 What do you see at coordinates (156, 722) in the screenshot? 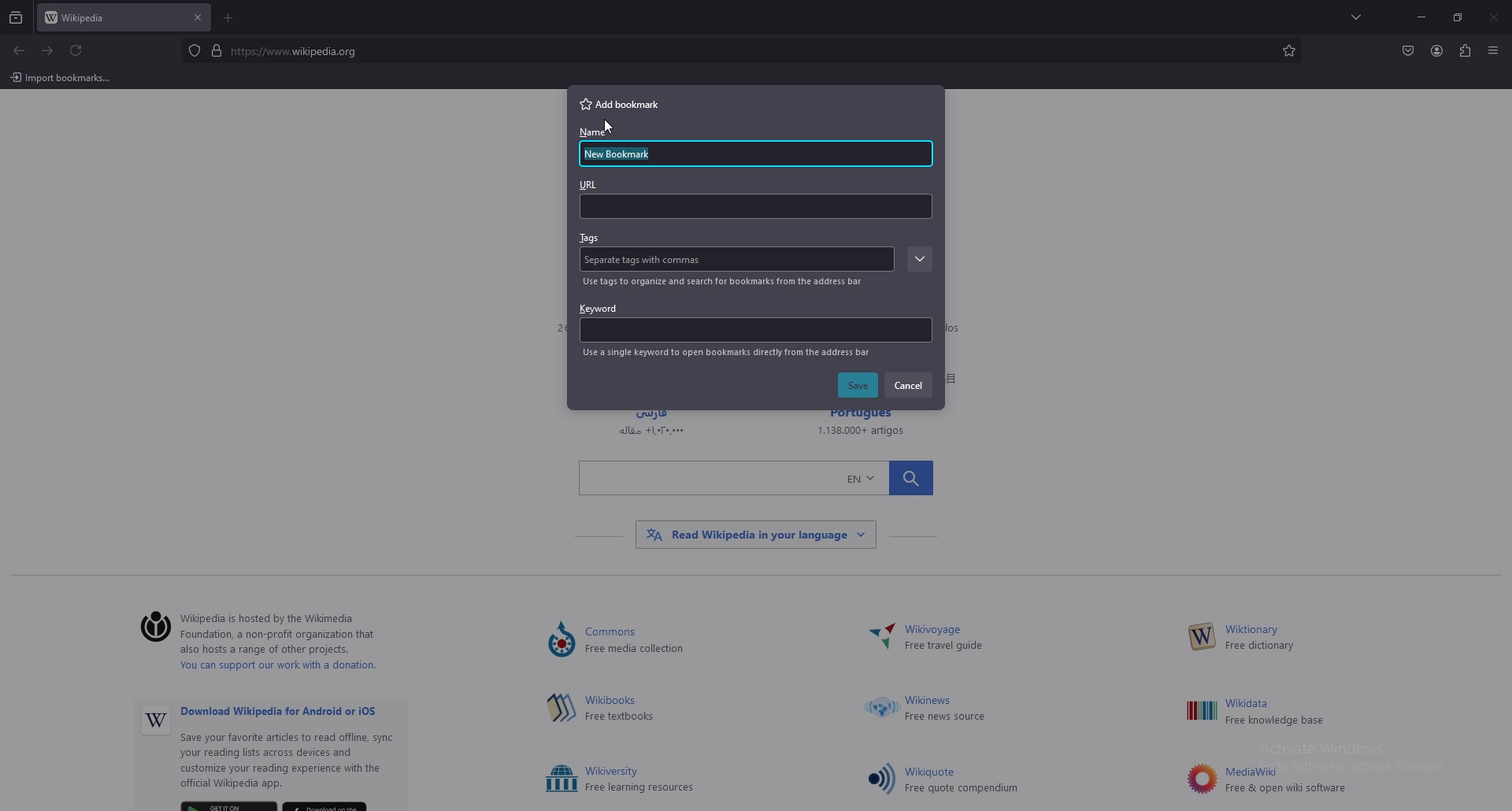
I see `` at bounding box center [156, 722].